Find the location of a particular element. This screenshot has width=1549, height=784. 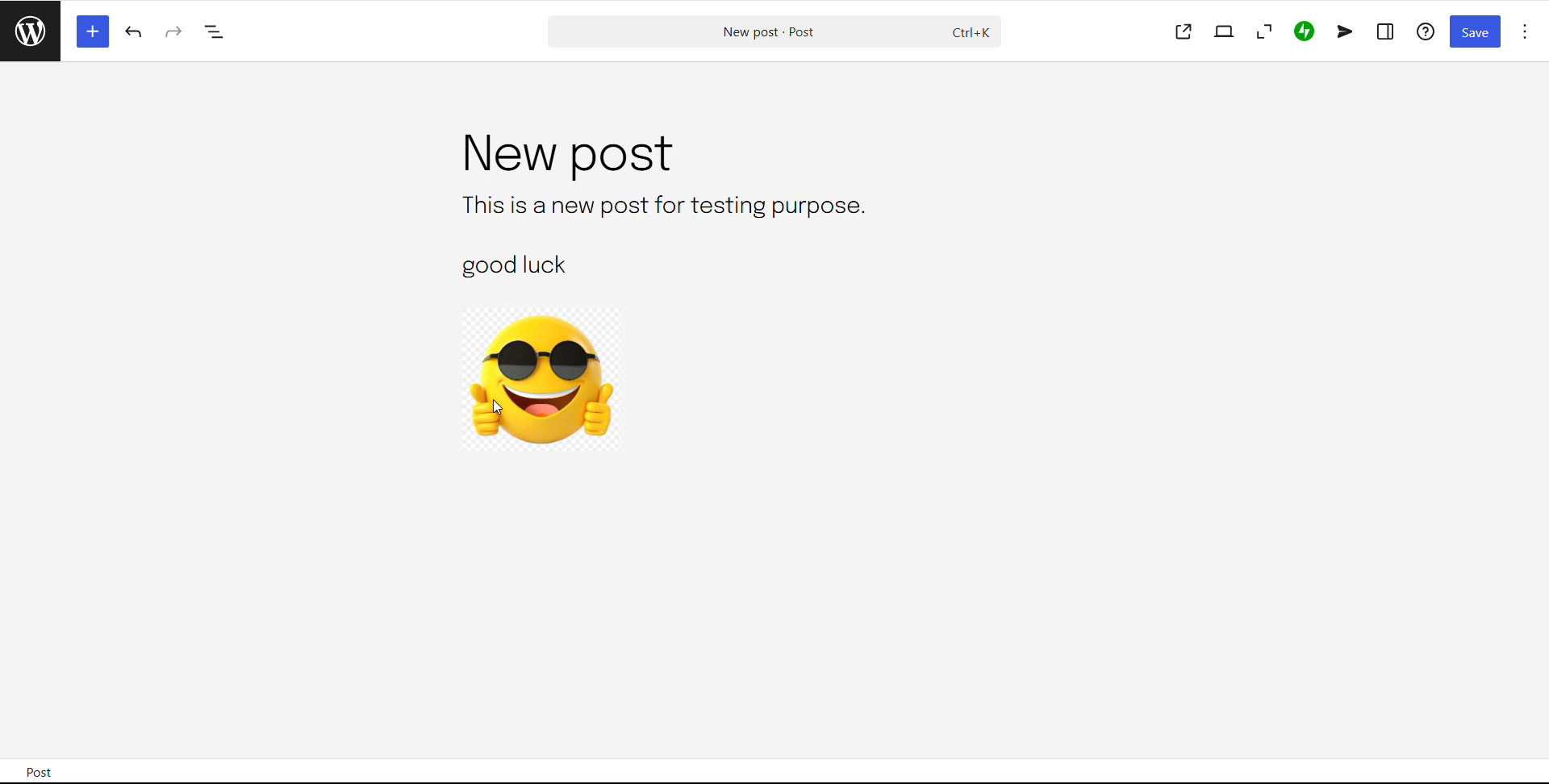

redo is located at coordinates (174, 31).